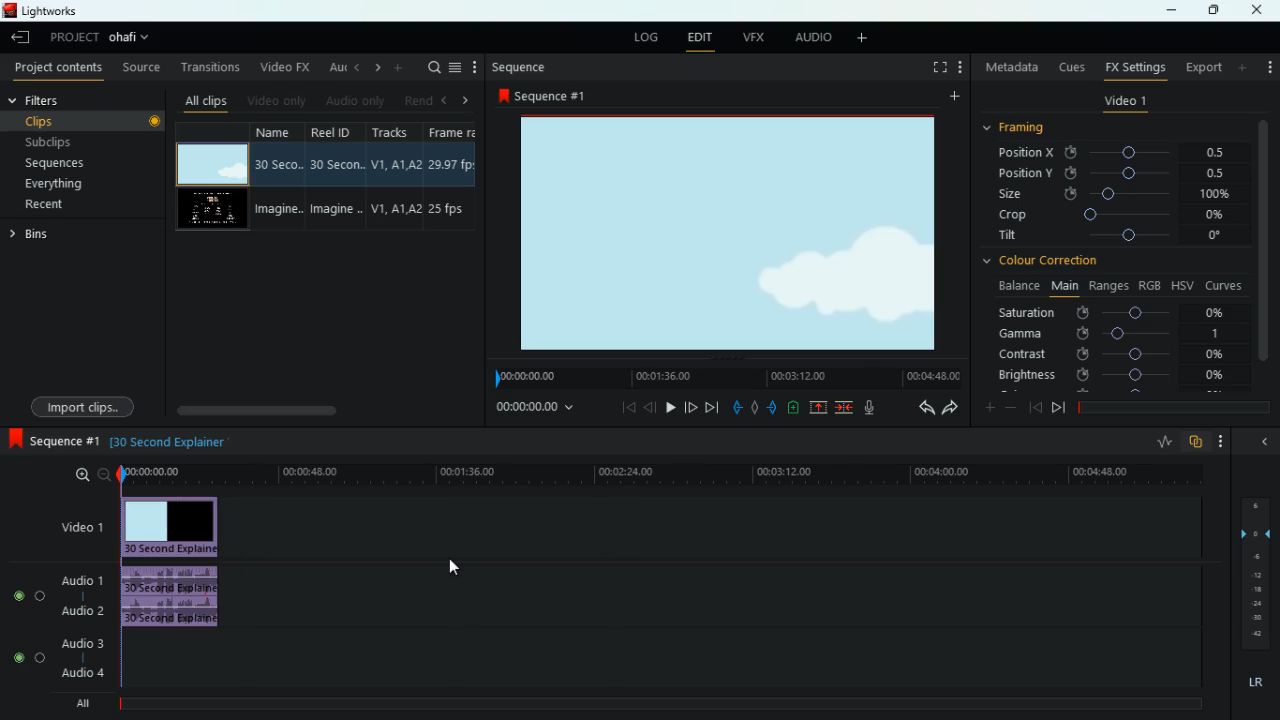 The image size is (1280, 720). I want to click on video 1, so click(1126, 101).